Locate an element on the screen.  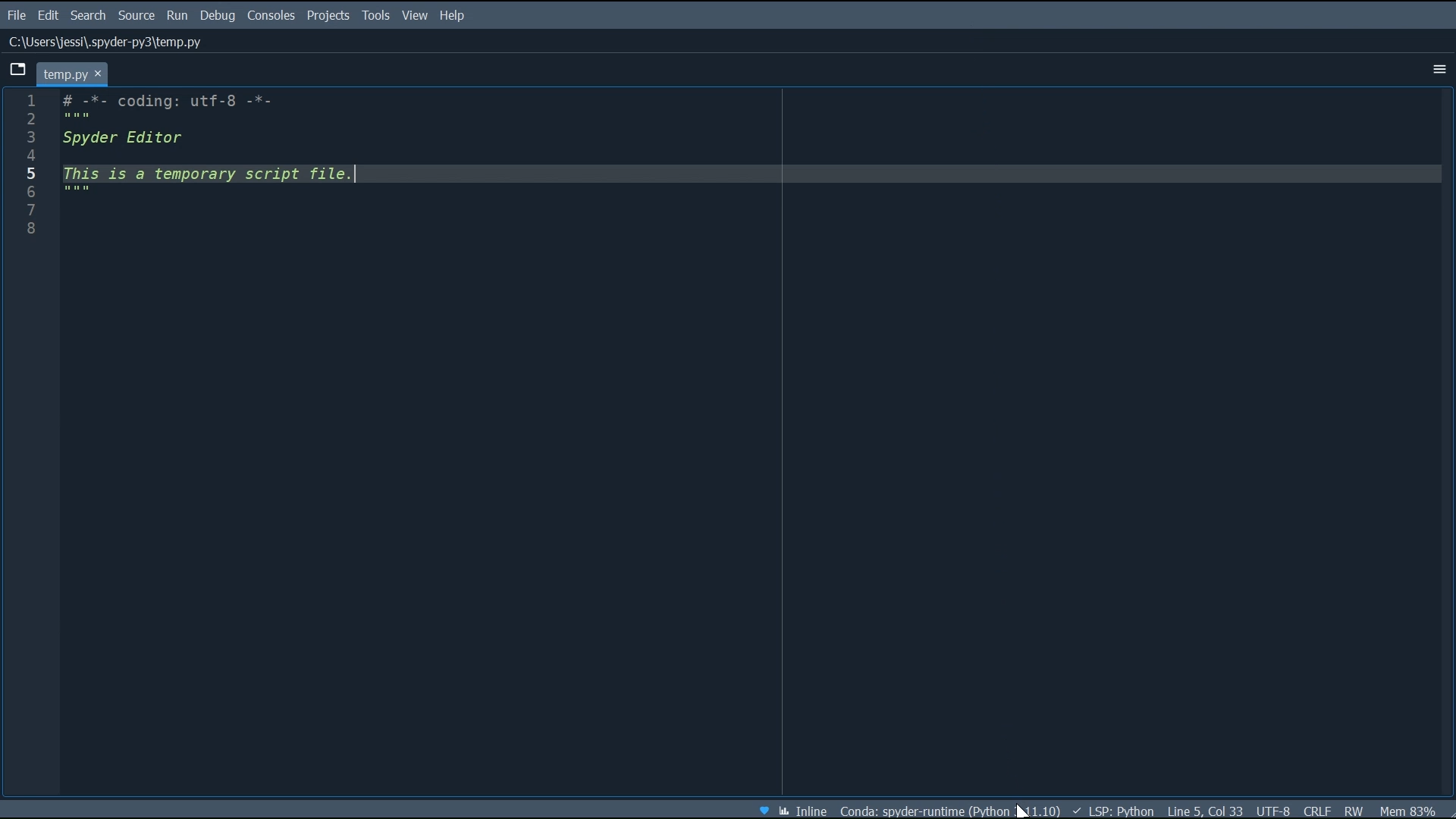
Current file tab is located at coordinates (75, 73).